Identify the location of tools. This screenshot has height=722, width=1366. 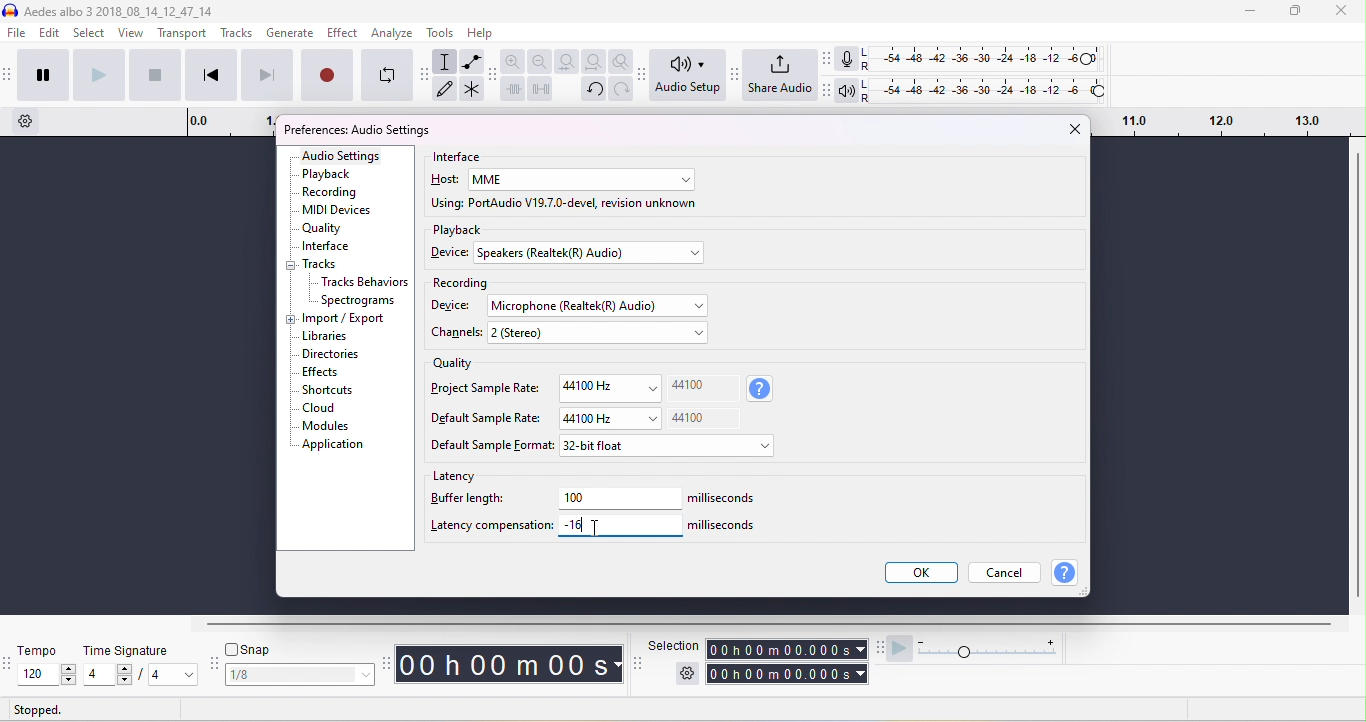
(441, 32).